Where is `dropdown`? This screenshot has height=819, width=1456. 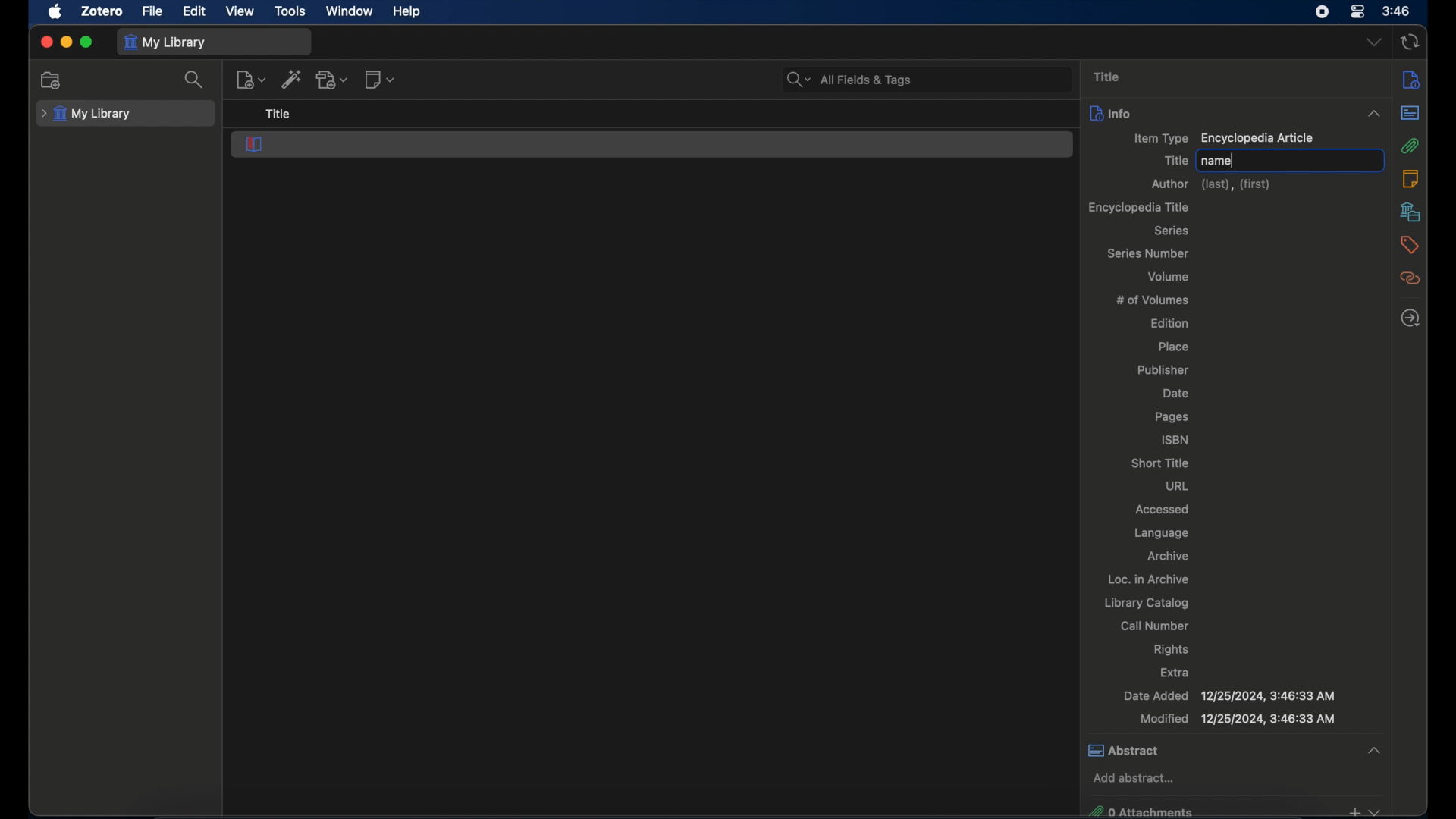 dropdown is located at coordinates (1374, 42).